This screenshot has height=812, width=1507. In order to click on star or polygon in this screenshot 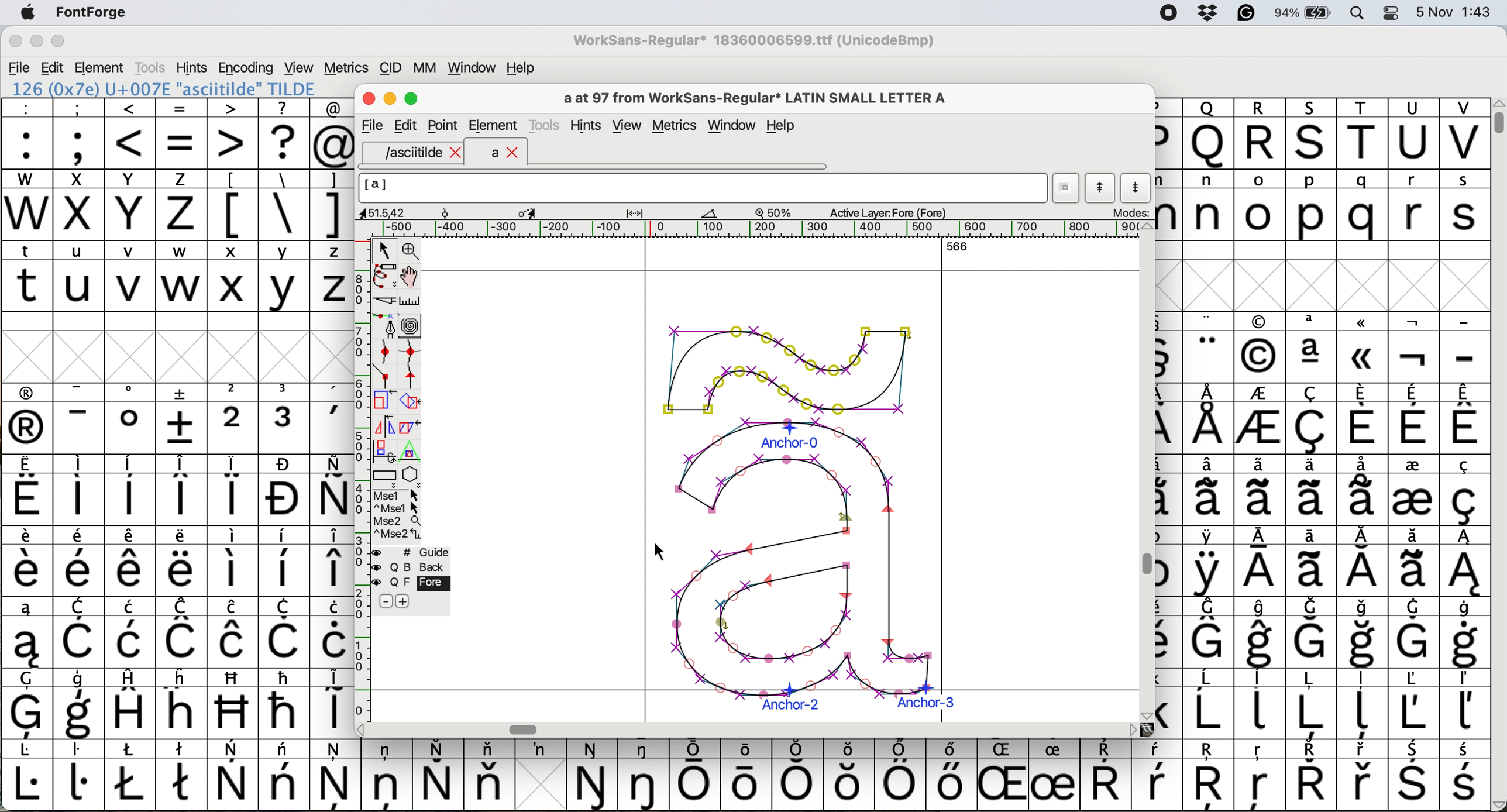, I will do `click(411, 474)`.